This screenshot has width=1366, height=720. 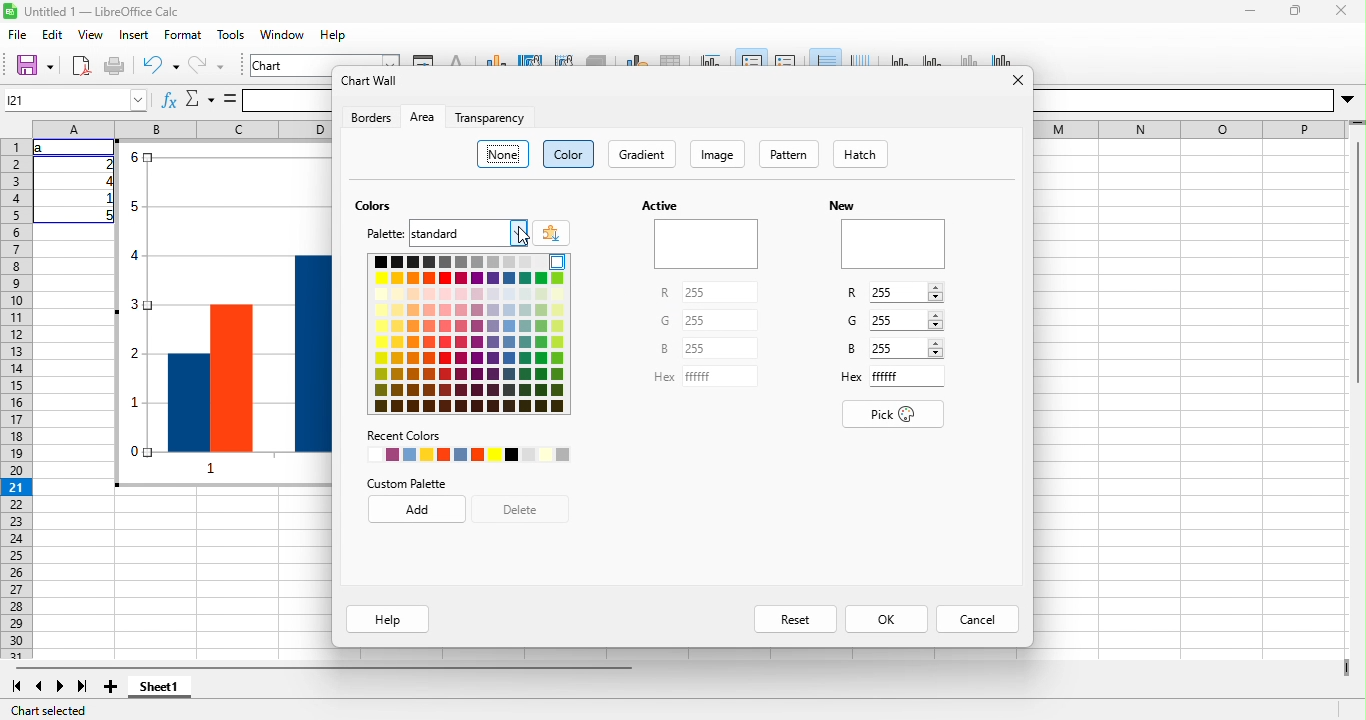 What do you see at coordinates (894, 244) in the screenshot?
I see `Preview of new` at bounding box center [894, 244].